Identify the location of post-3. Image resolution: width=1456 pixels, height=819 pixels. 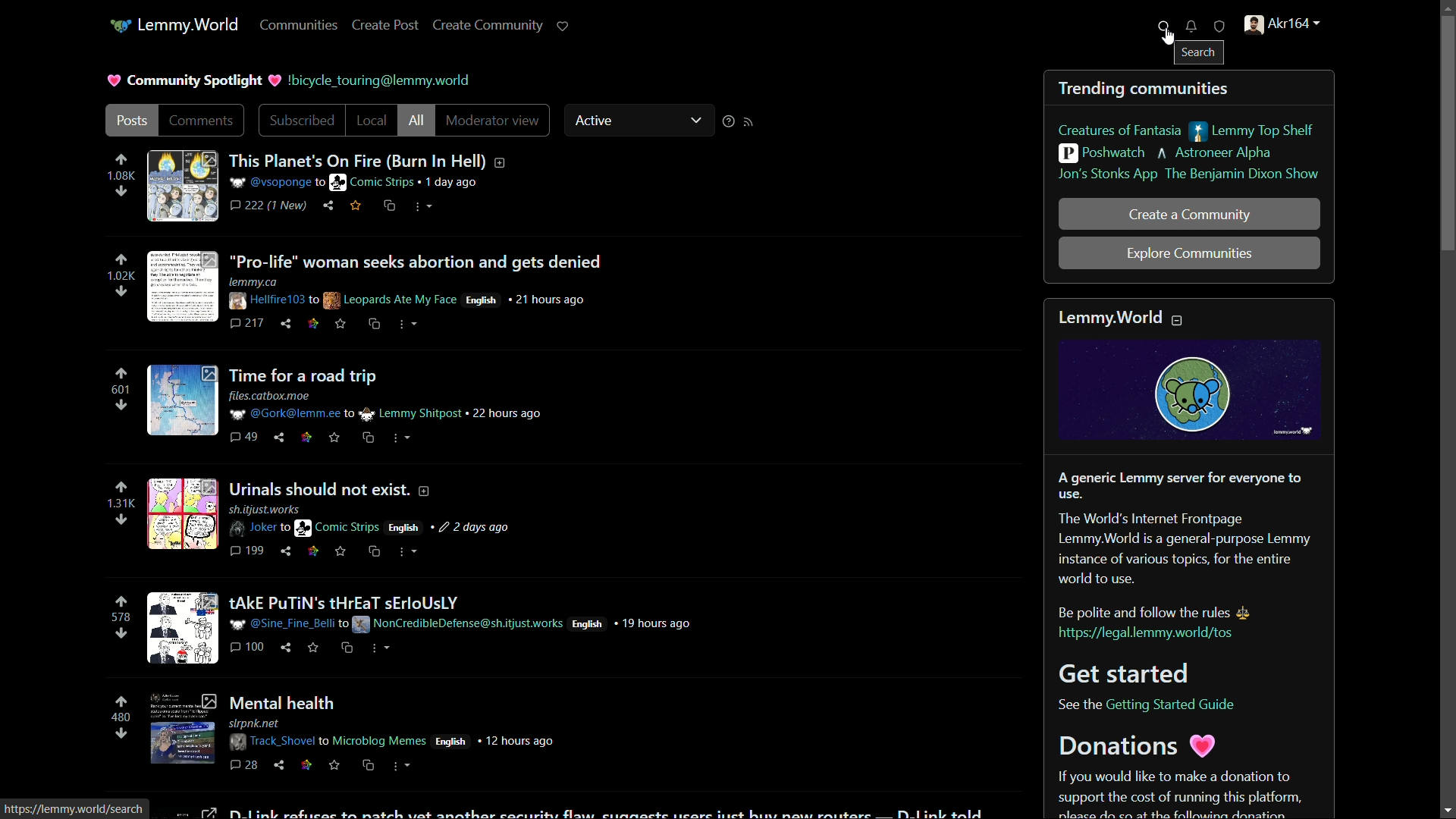
(348, 404).